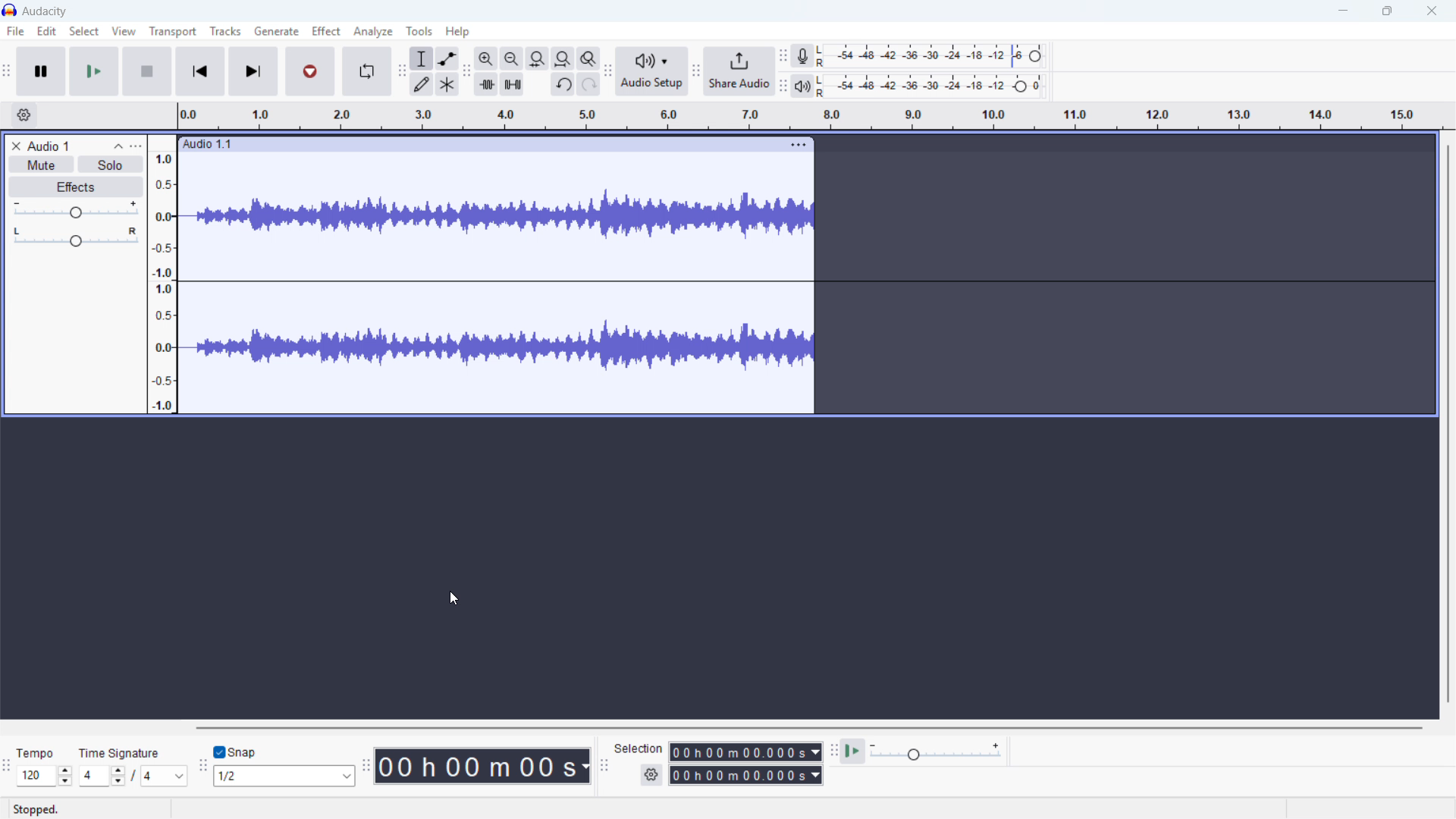 This screenshot has width=1456, height=819. What do you see at coordinates (453, 599) in the screenshot?
I see `Cursor ` at bounding box center [453, 599].